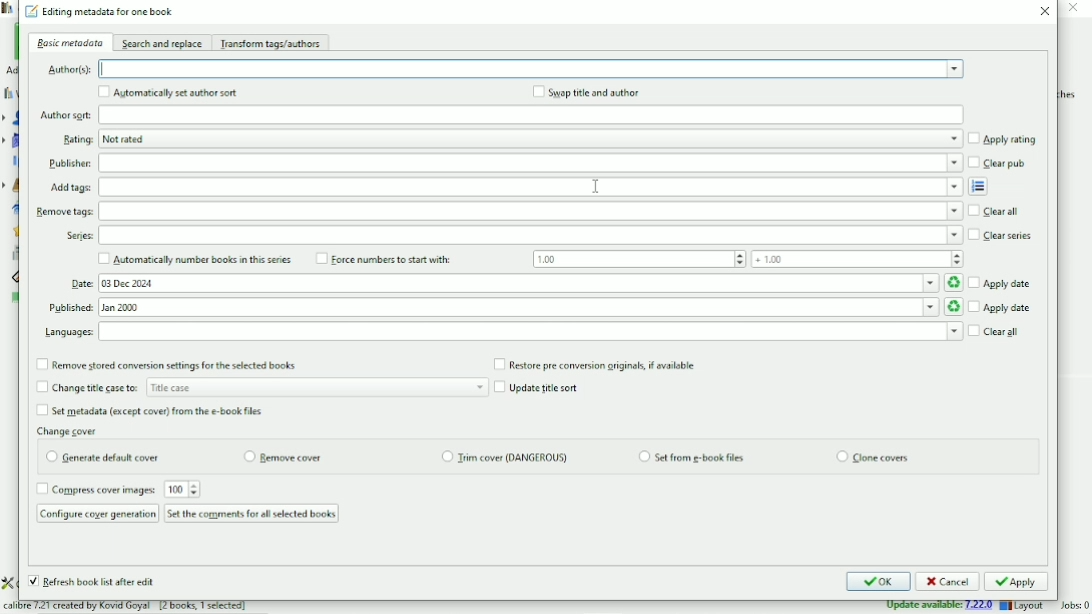 The height and width of the screenshot is (614, 1092). What do you see at coordinates (637, 259) in the screenshot?
I see `Force numbers to start with` at bounding box center [637, 259].